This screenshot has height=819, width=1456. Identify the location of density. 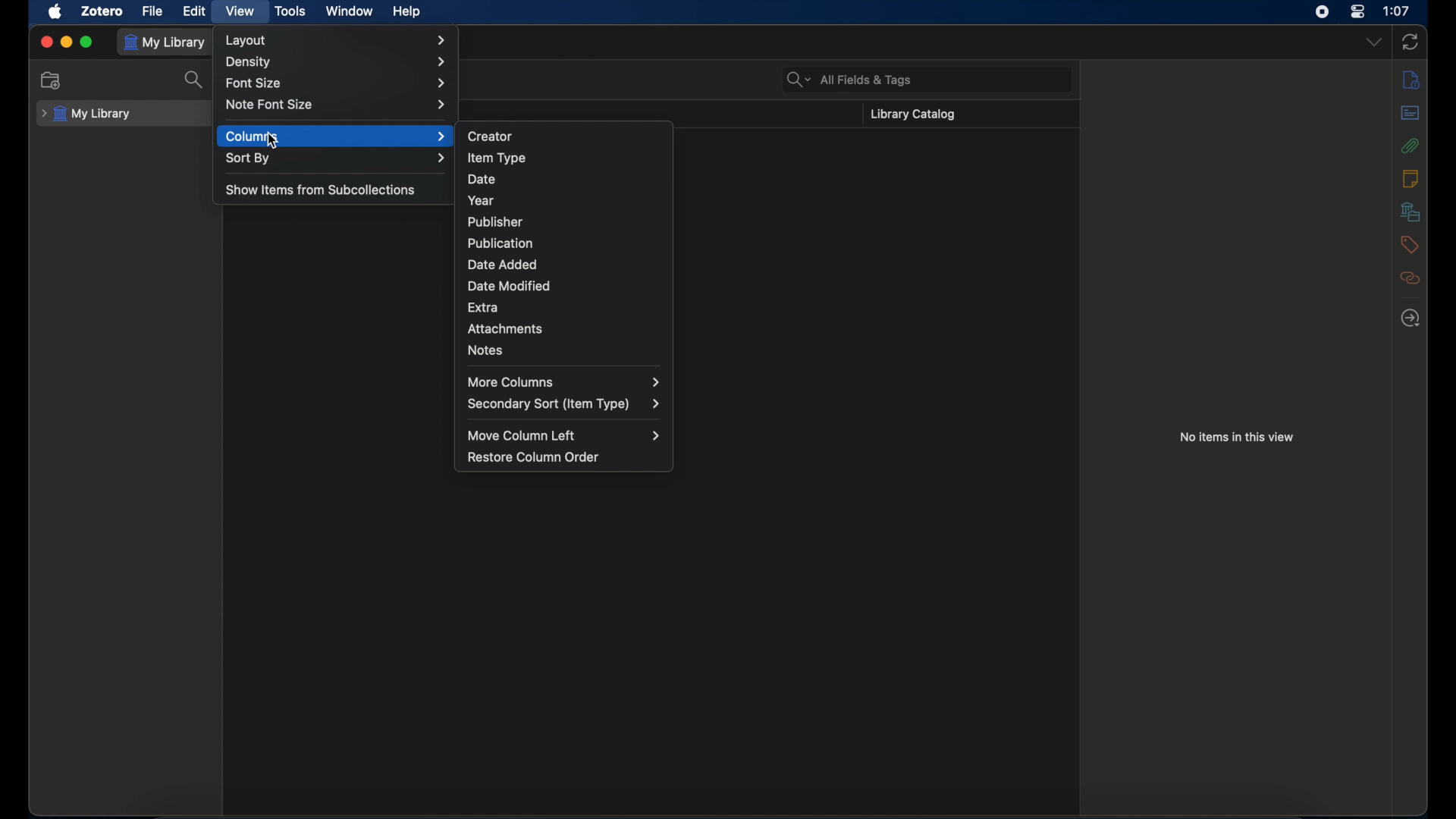
(337, 63).